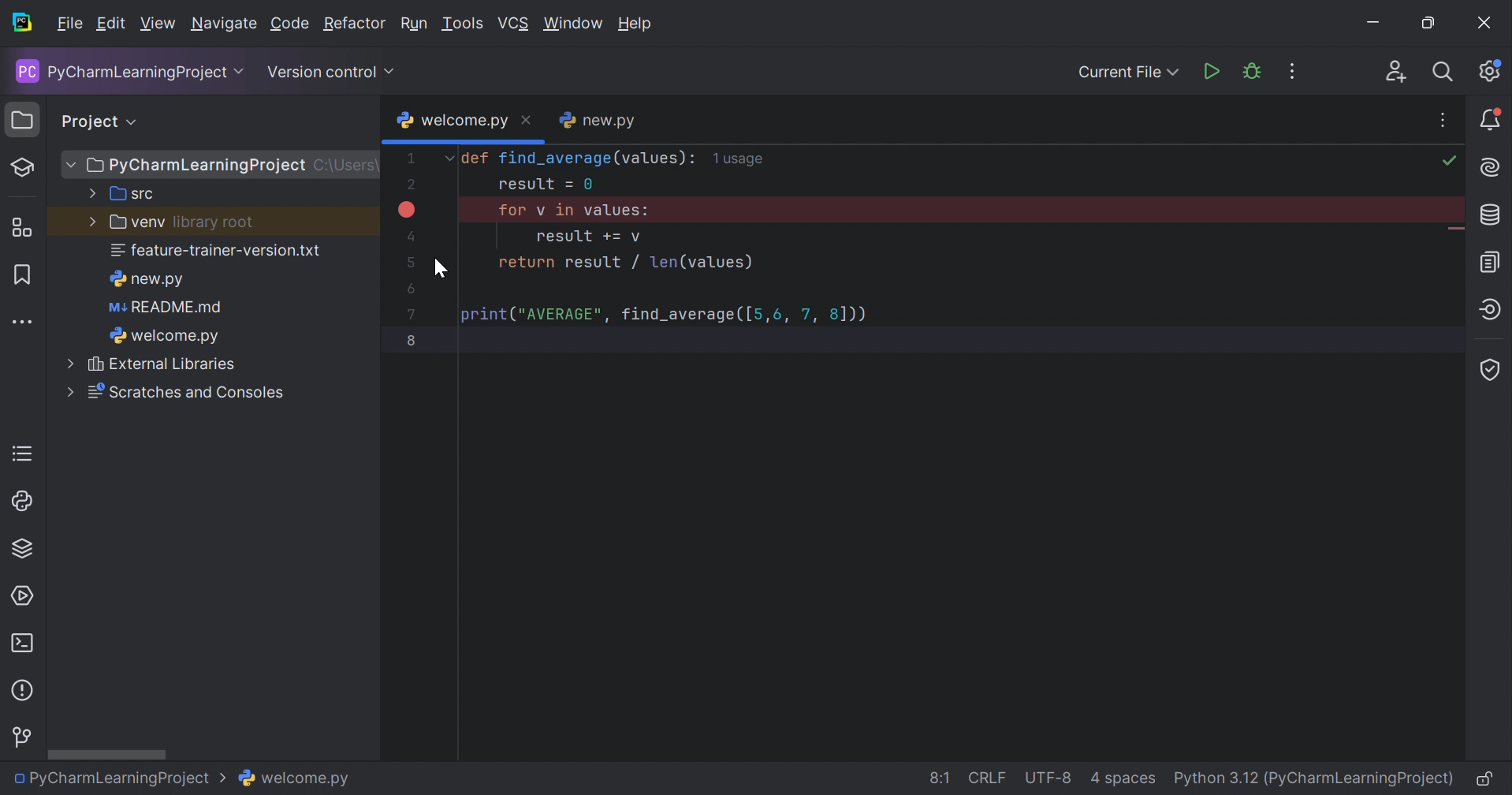 The image size is (1512, 795). Describe the element at coordinates (24, 691) in the screenshot. I see `Problems` at that location.